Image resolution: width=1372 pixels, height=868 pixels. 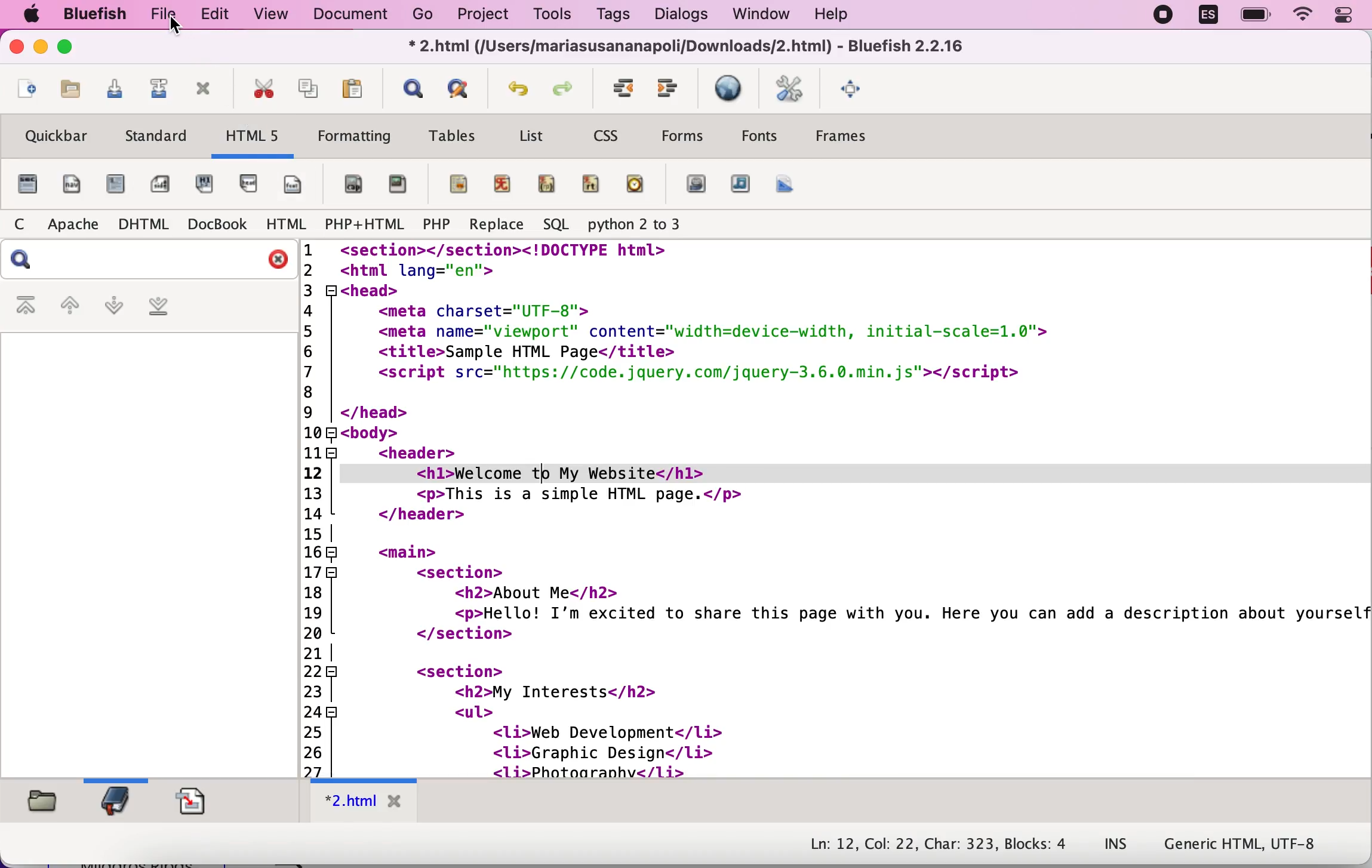 I want to click on filebrowser, so click(x=47, y=807).